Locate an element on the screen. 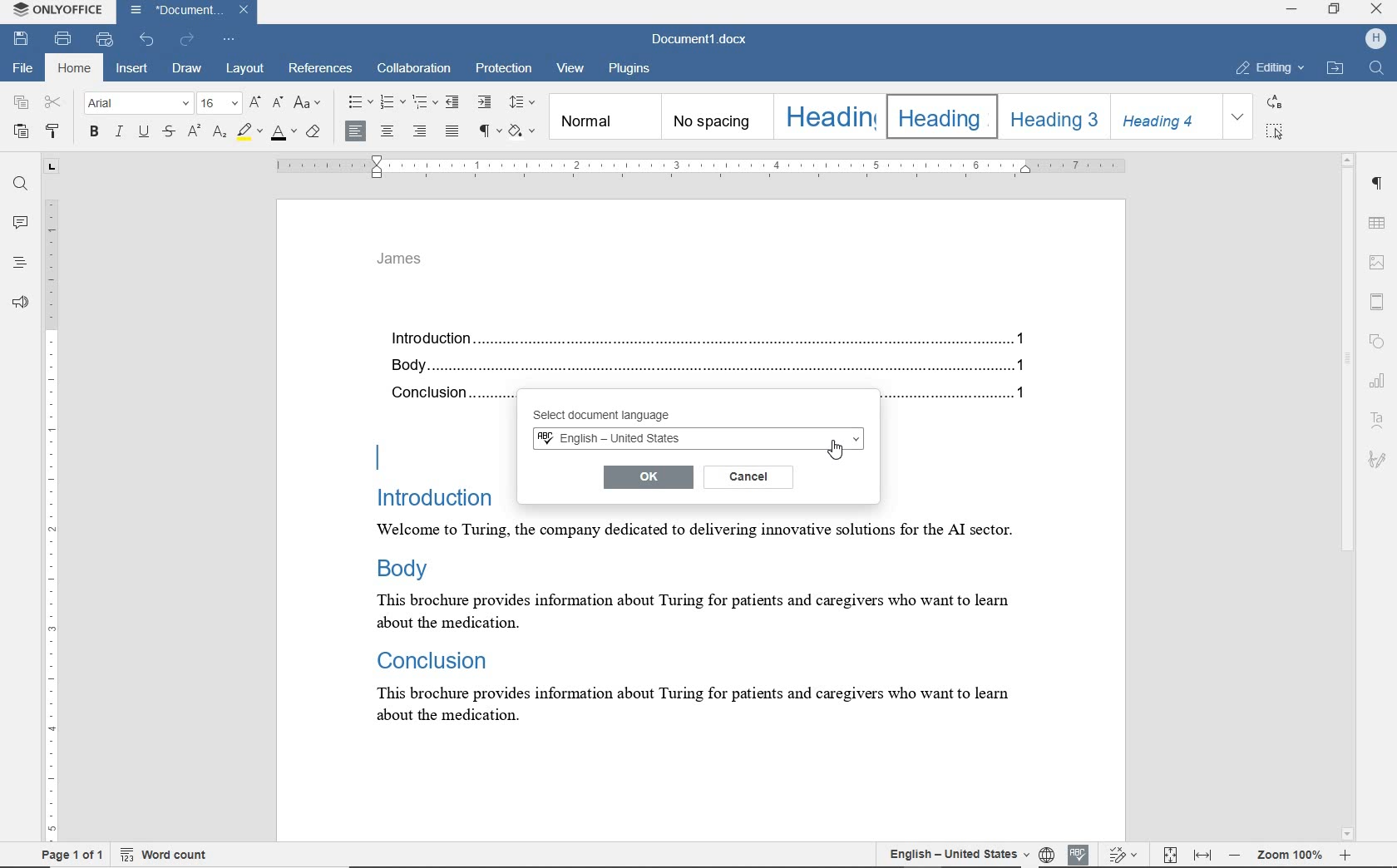 This screenshot has height=868, width=1397. Body...........................................................................................................................................1 is located at coordinates (714, 367).